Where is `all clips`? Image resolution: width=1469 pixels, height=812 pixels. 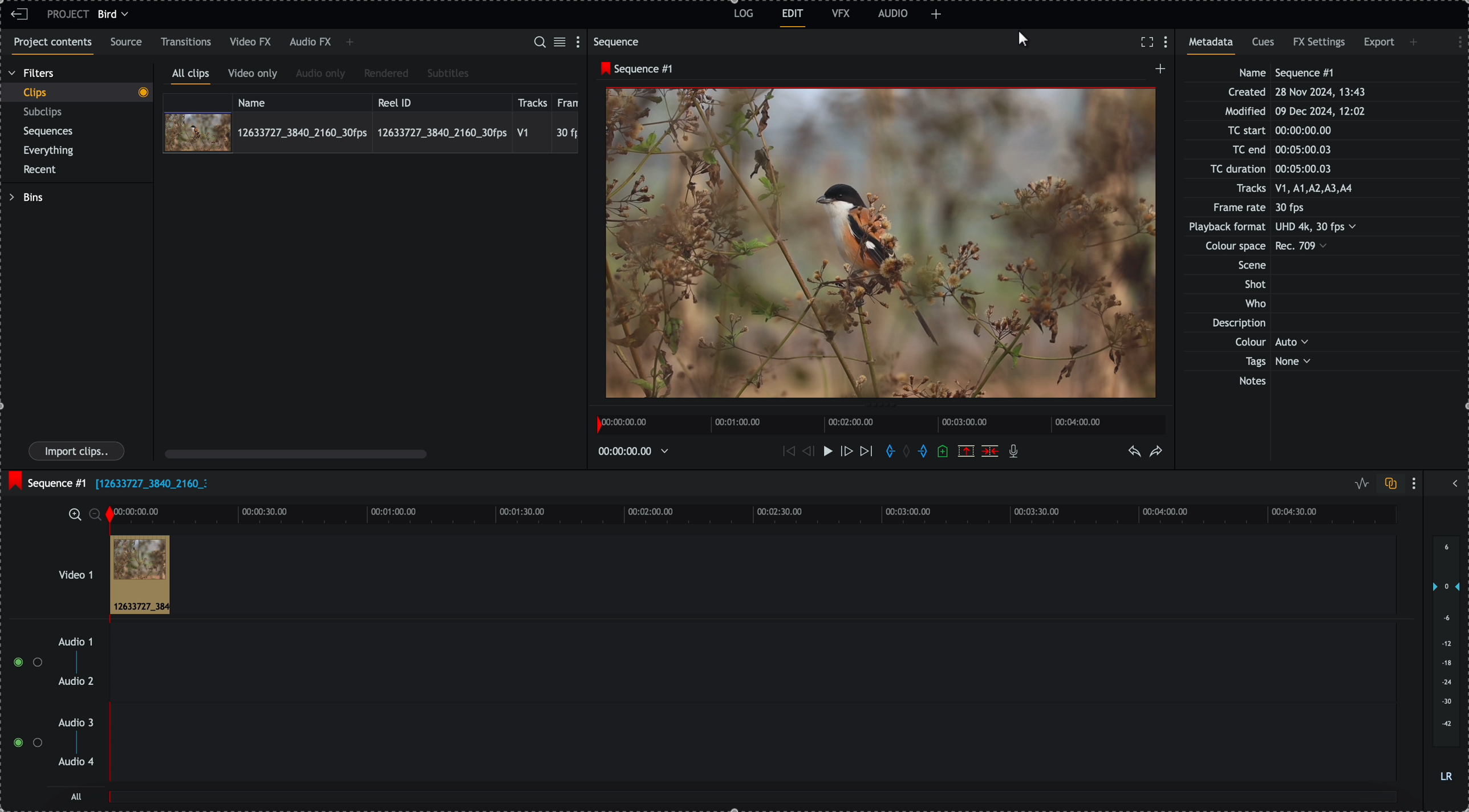 all clips is located at coordinates (191, 76).